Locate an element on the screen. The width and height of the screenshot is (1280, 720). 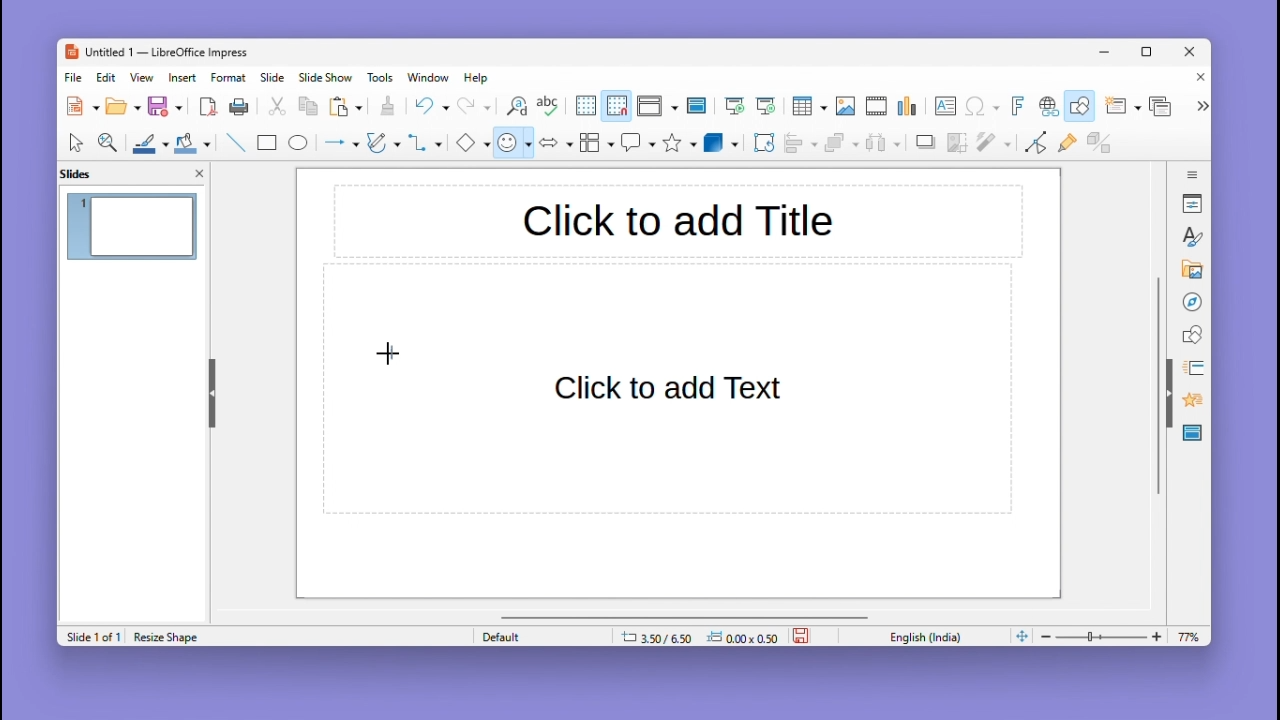
Effects is located at coordinates (1190, 403).